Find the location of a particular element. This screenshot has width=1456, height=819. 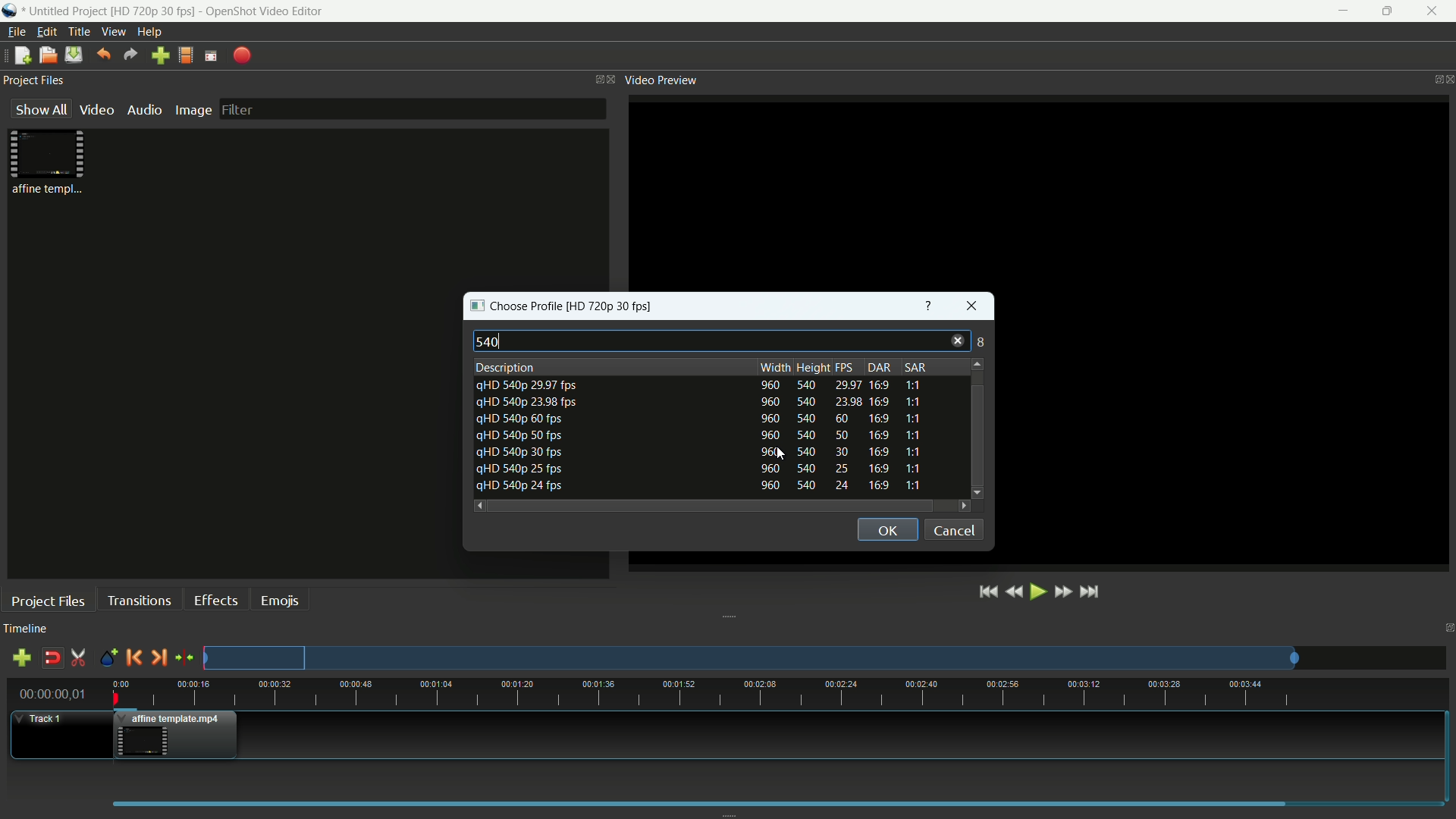

open file is located at coordinates (46, 55).